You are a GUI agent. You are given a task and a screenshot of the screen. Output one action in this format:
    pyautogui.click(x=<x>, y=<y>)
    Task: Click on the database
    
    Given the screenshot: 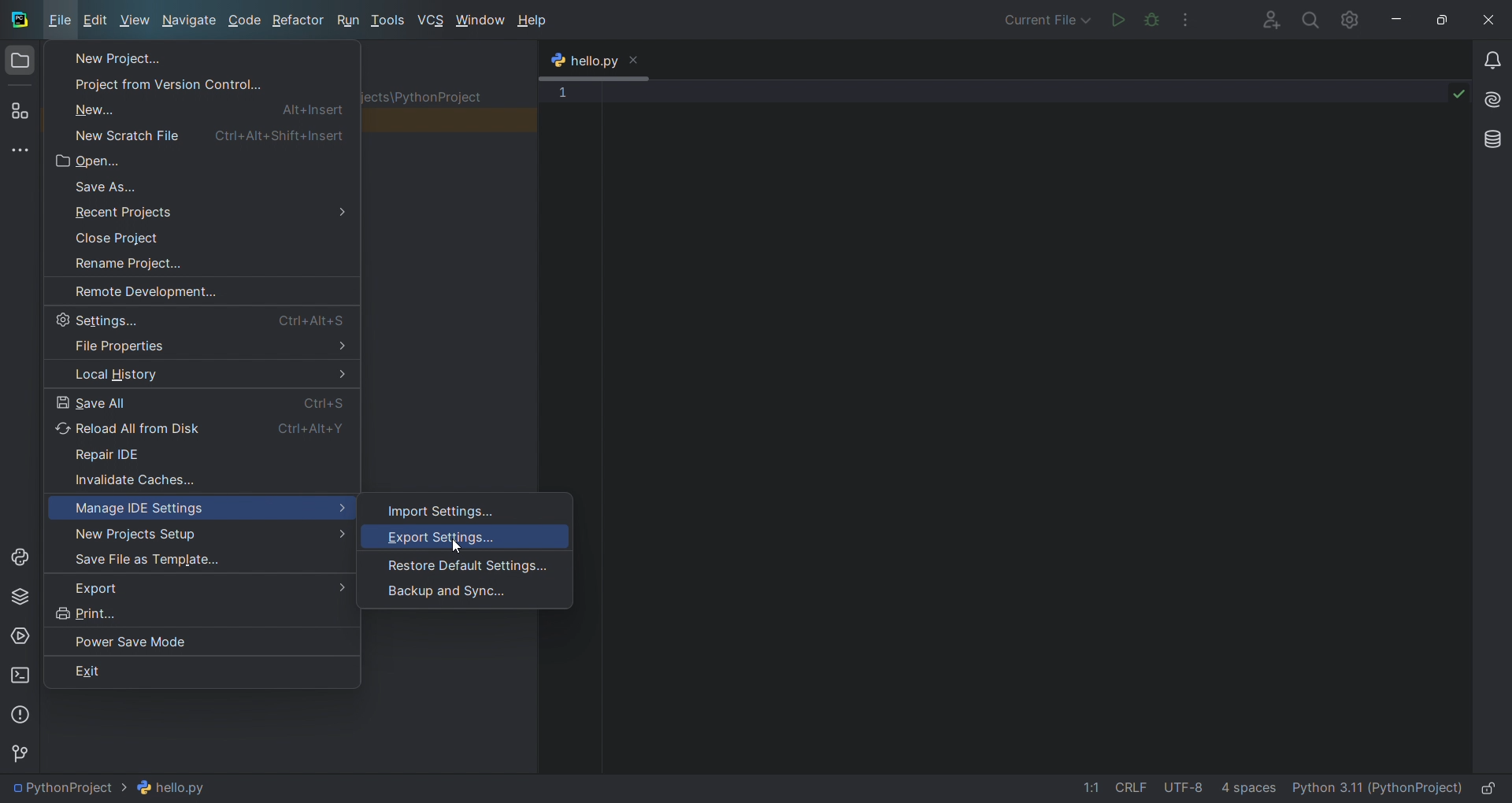 What is the action you would take?
    pyautogui.click(x=1493, y=139)
    